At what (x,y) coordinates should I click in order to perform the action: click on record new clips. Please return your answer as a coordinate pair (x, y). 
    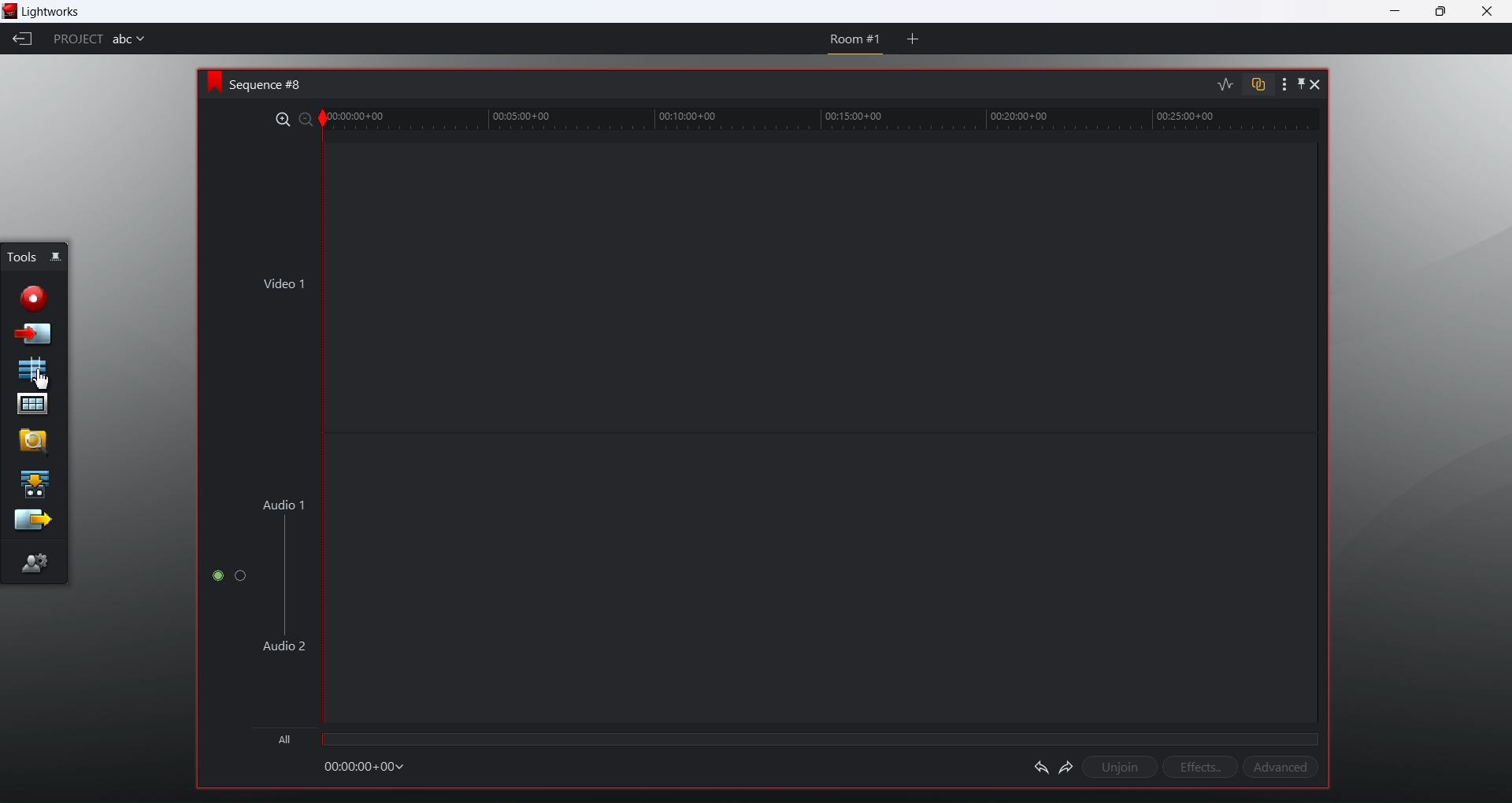
    Looking at the image, I should click on (36, 298).